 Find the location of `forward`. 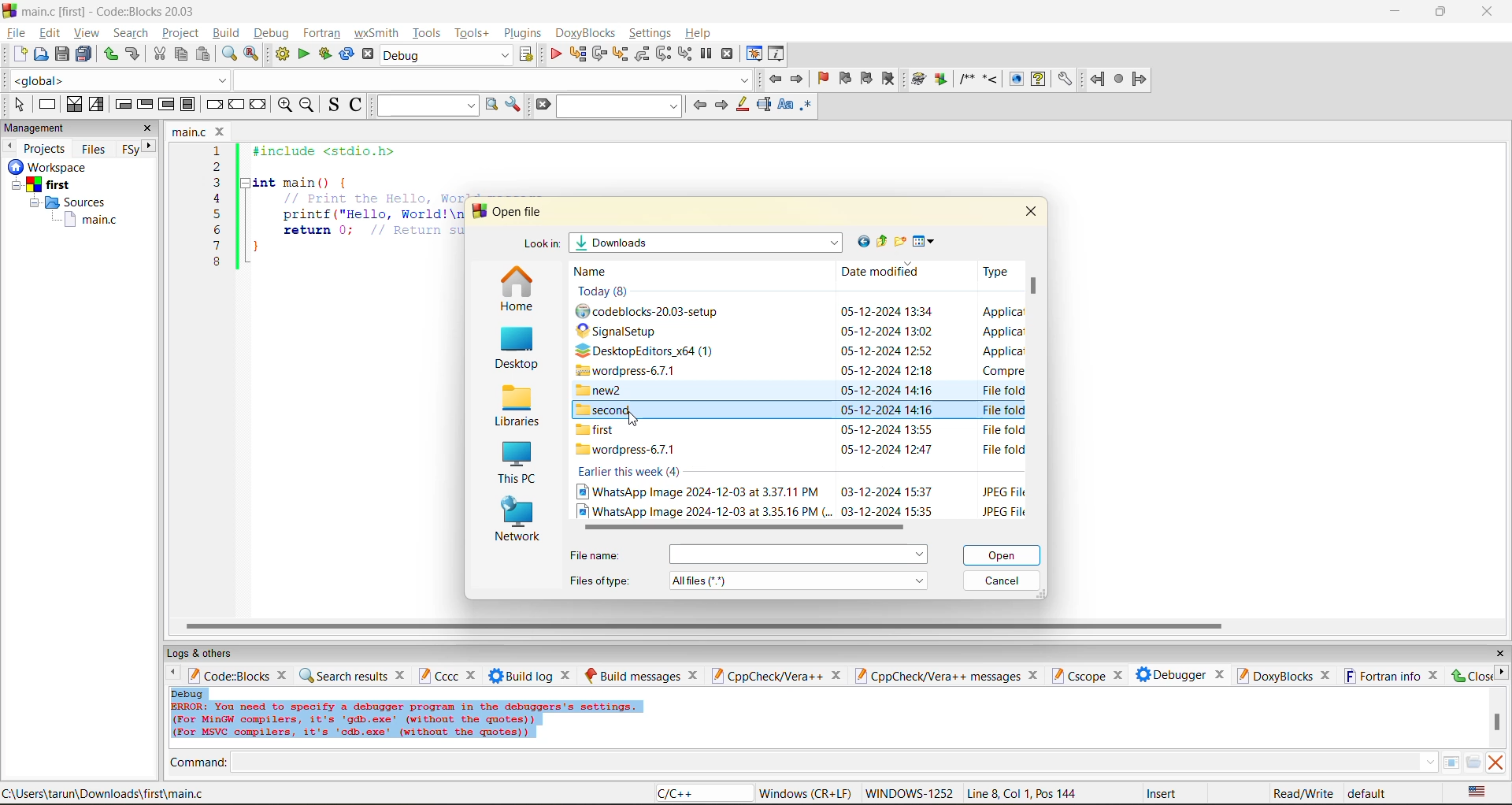

forward is located at coordinates (1140, 79).